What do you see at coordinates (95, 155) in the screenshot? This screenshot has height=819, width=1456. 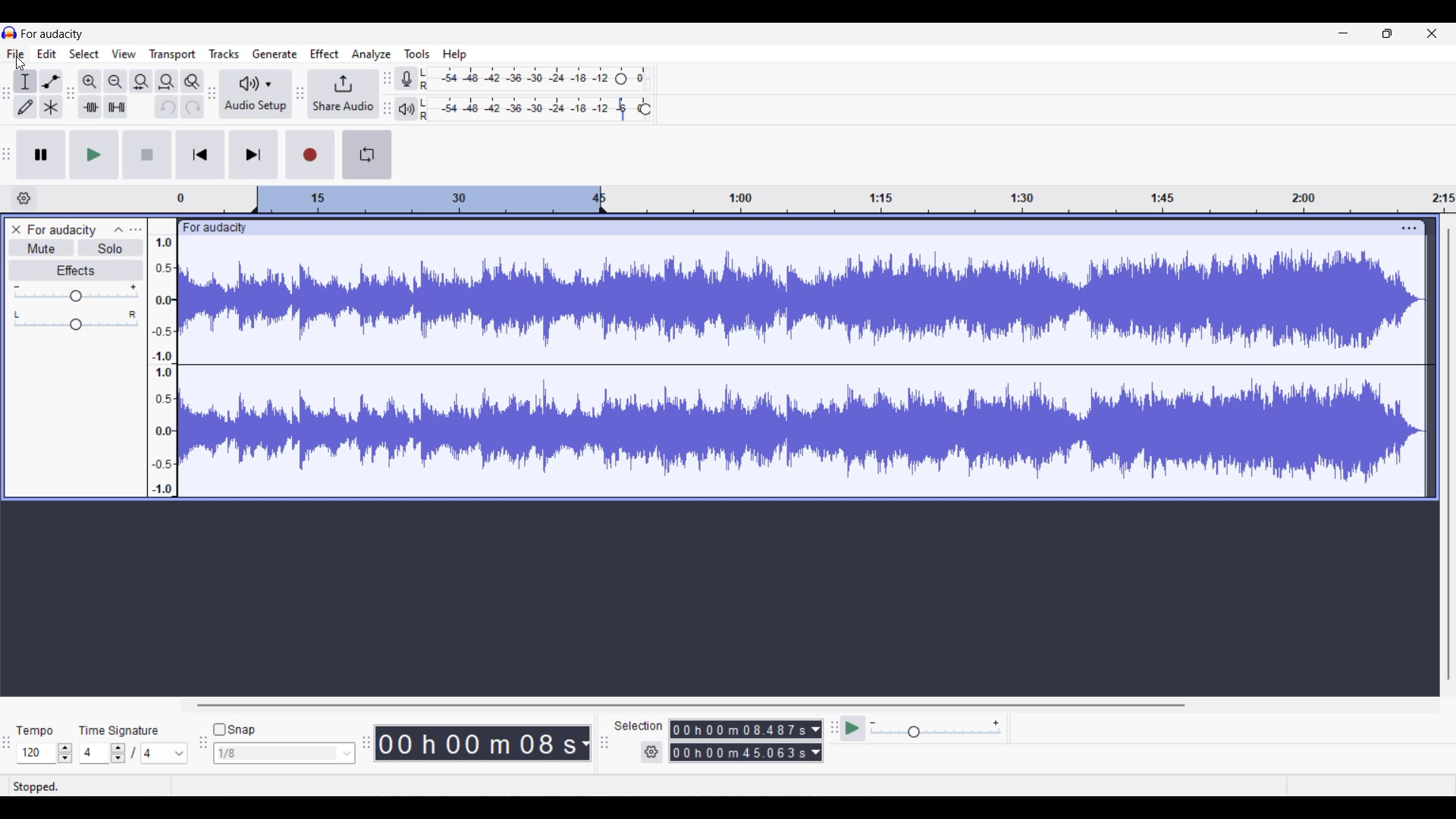 I see `Play/Play once` at bounding box center [95, 155].